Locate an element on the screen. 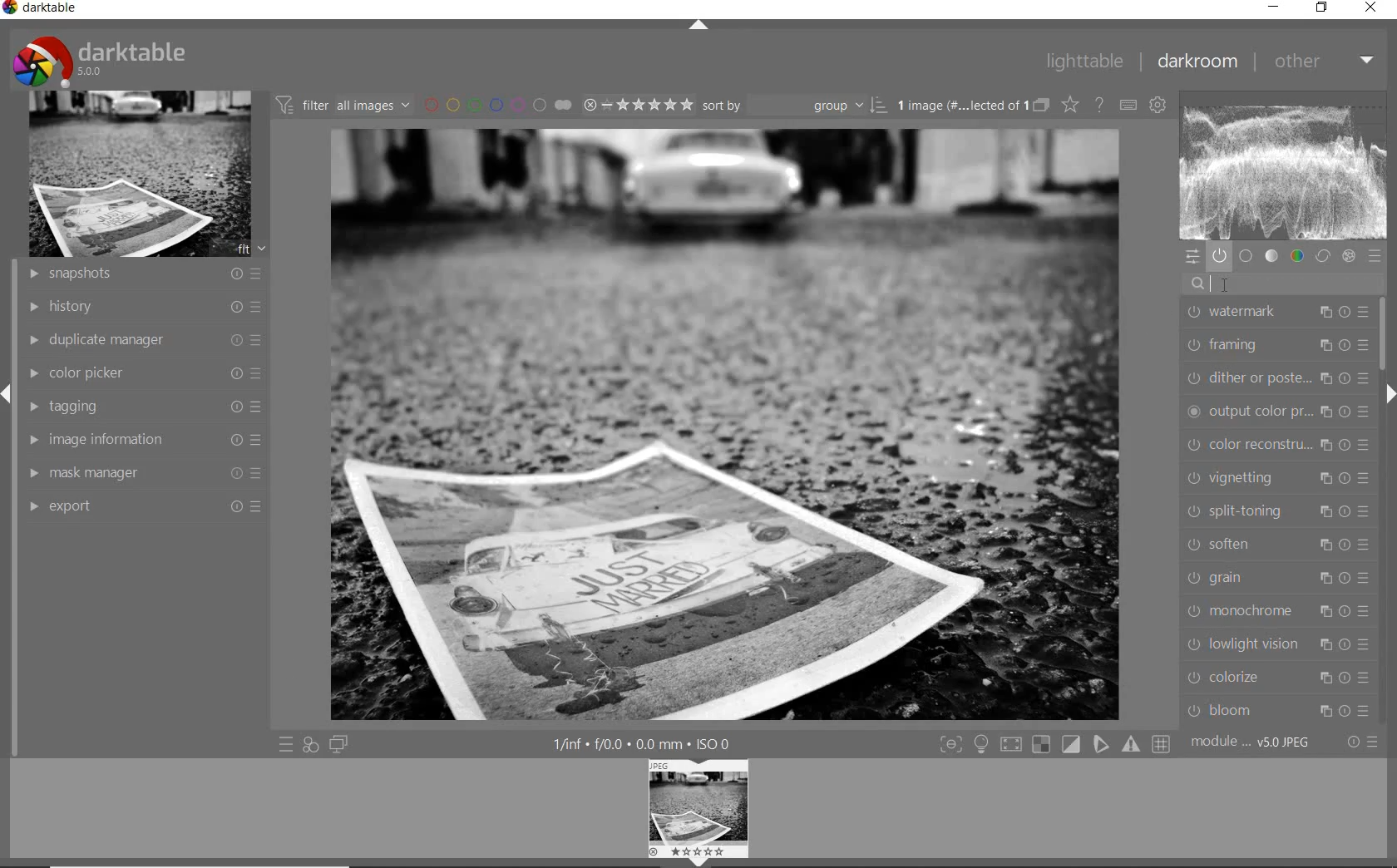 Image resolution: width=1397 pixels, height=868 pixels. darktable is located at coordinates (43, 8).